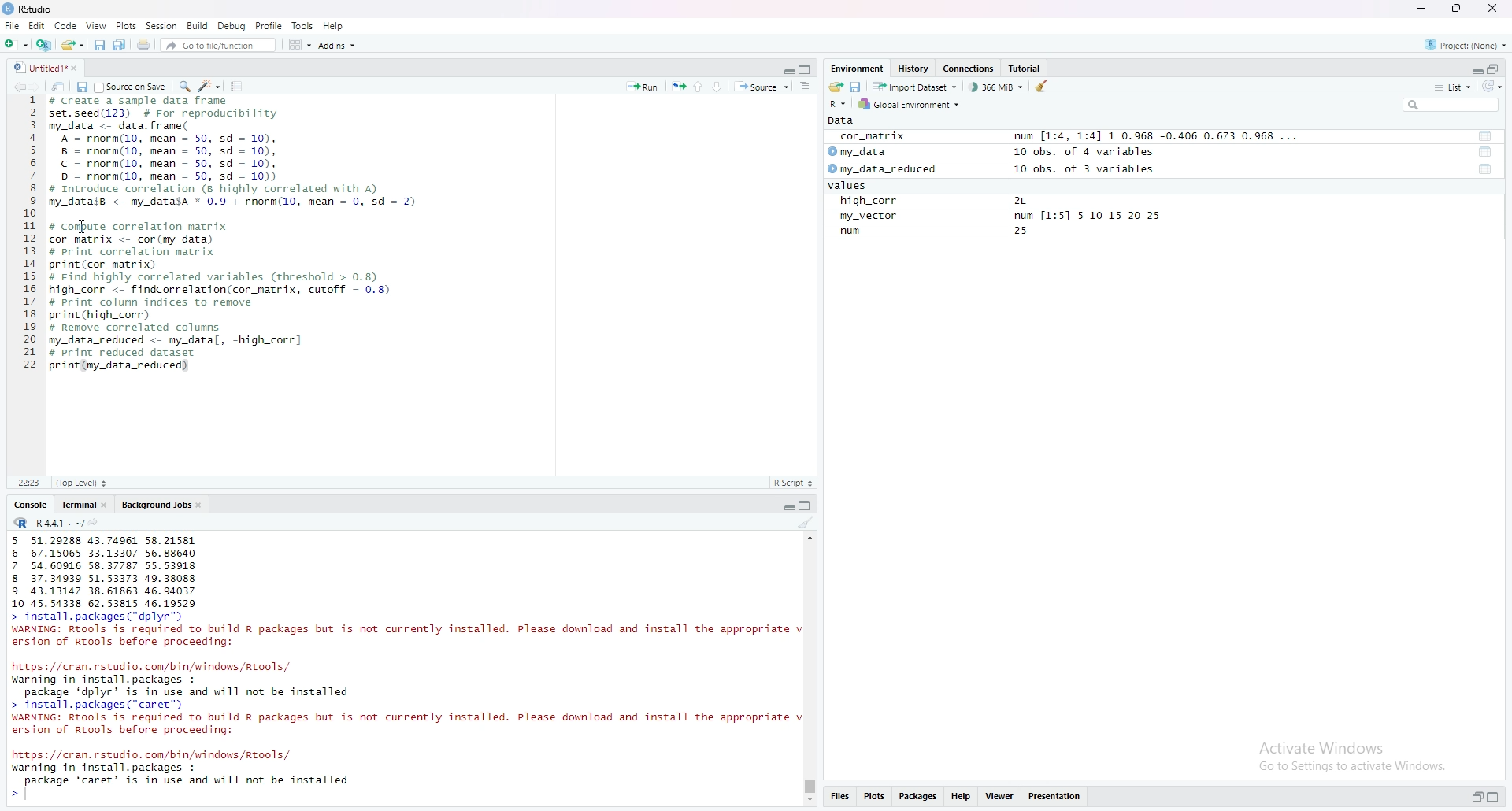  I want to click on Profile, so click(269, 25).